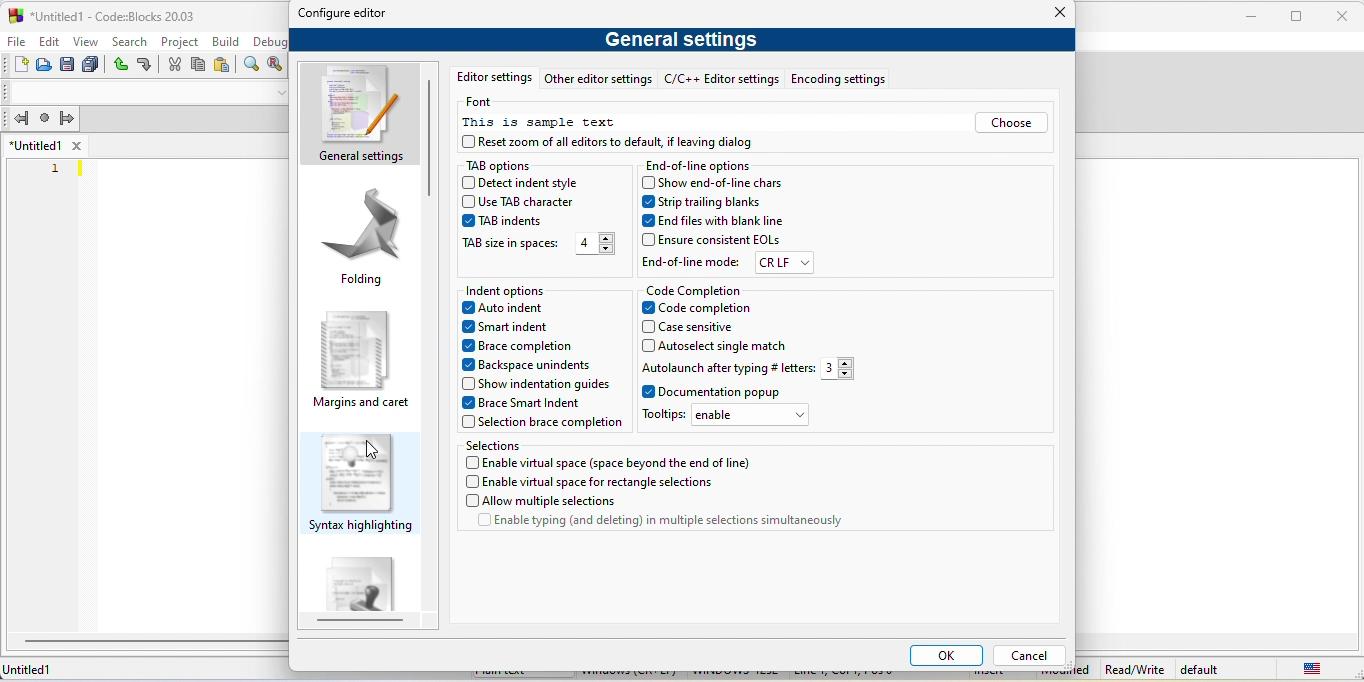 This screenshot has width=1364, height=682. I want to click on code completion, so click(708, 309).